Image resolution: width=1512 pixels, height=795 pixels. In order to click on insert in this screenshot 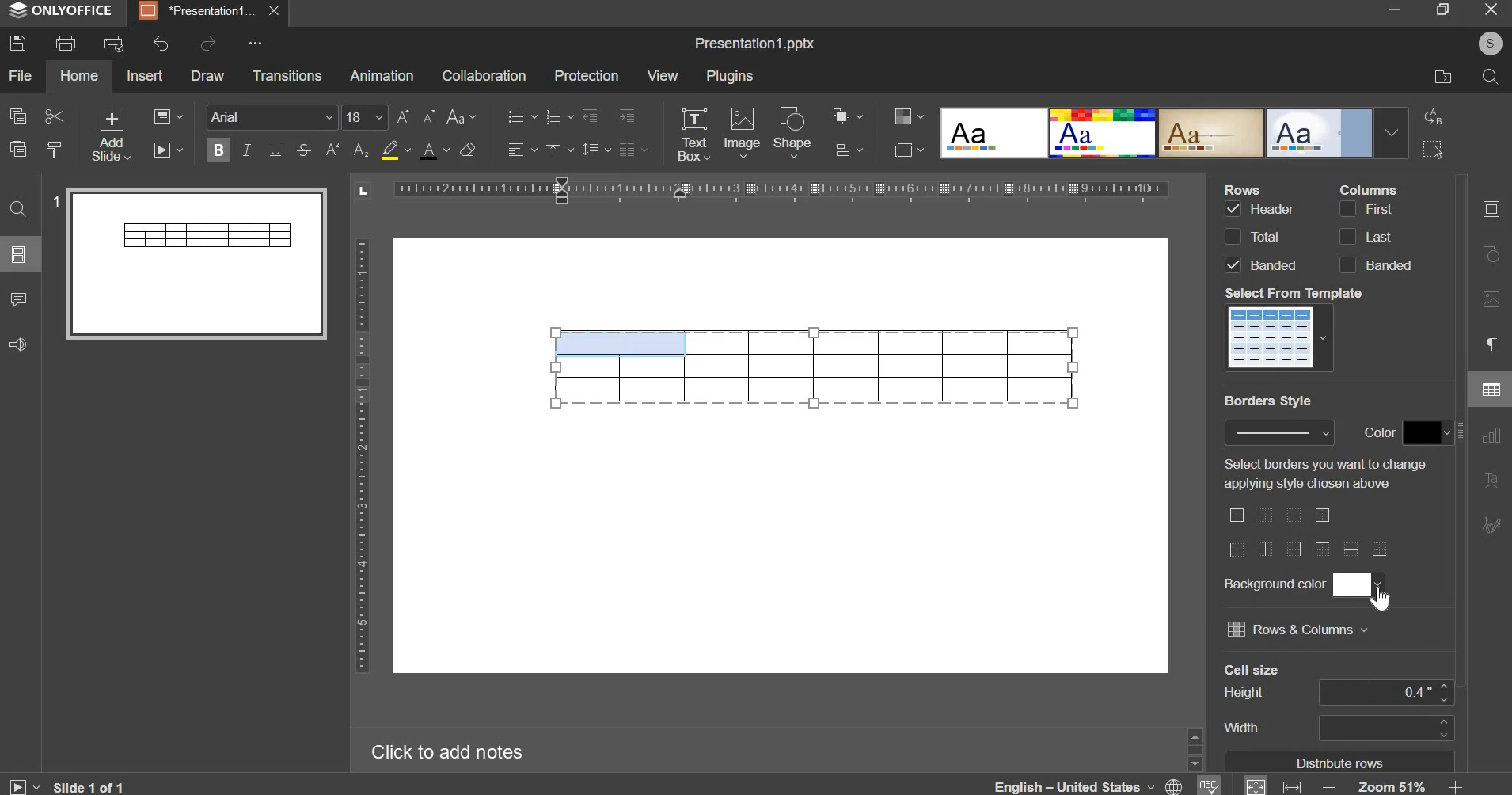, I will do `click(145, 74)`.